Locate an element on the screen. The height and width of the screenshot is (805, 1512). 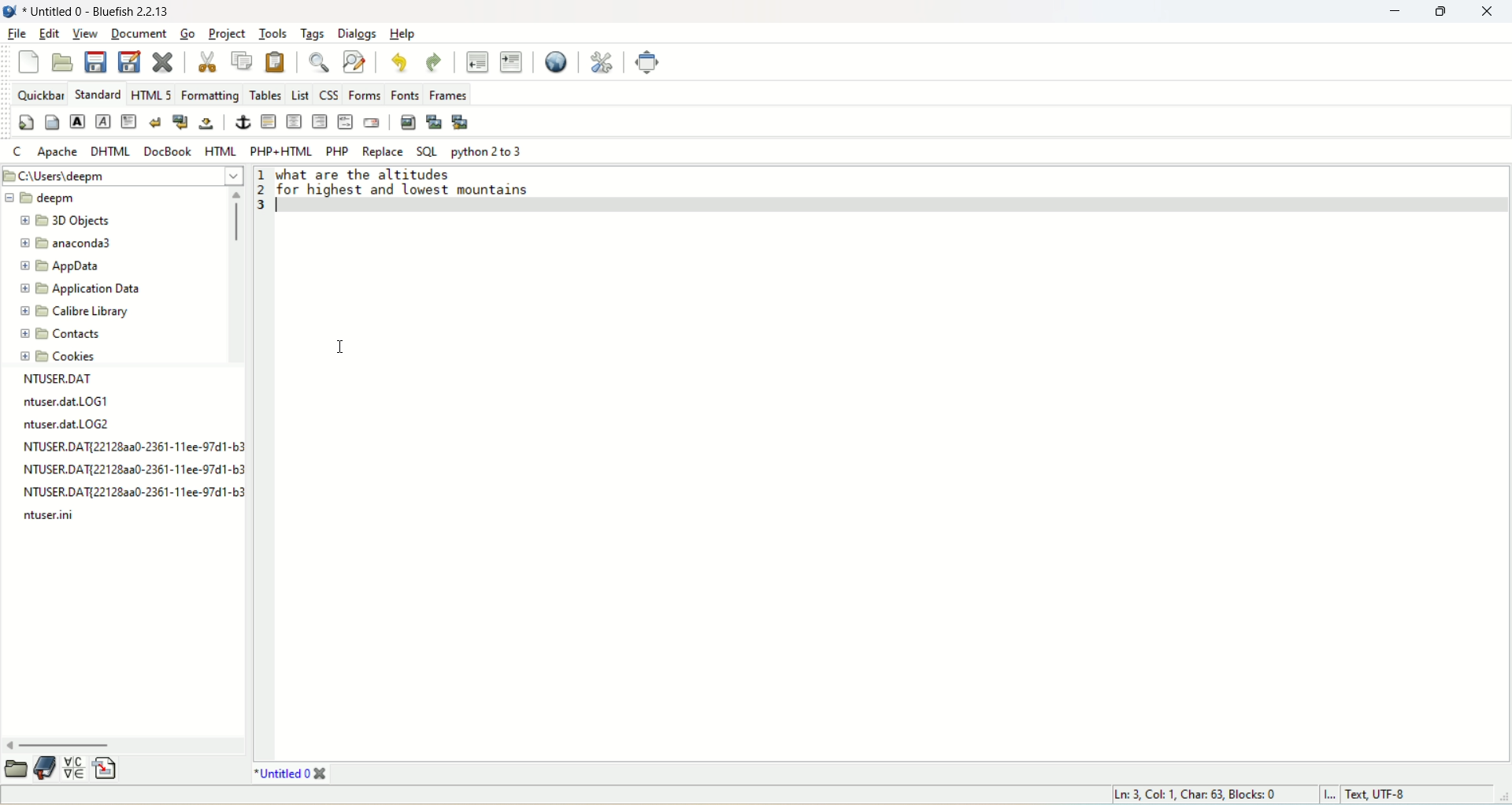
DHTML is located at coordinates (113, 153).